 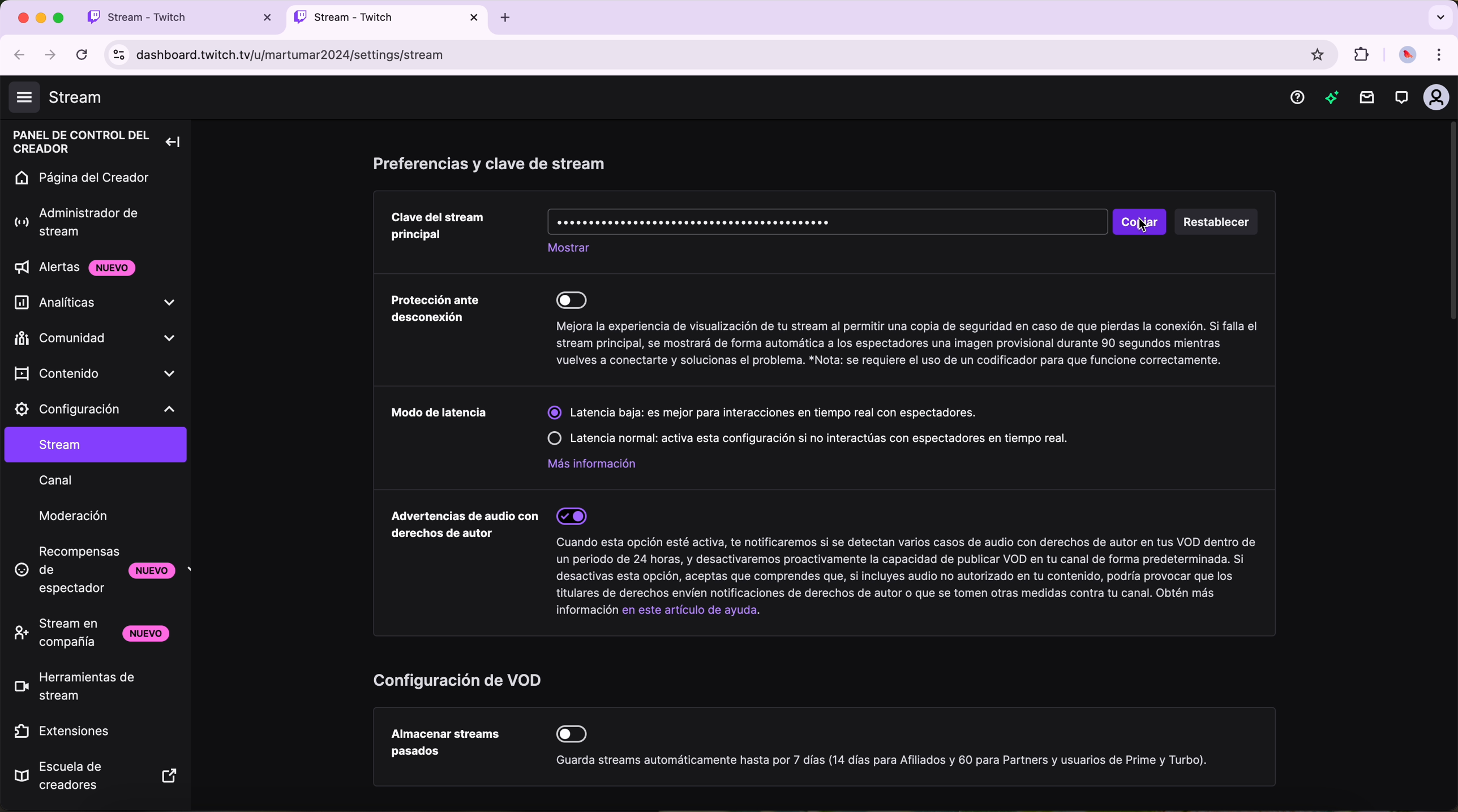 What do you see at coordinates (488, 163) in the screenshot?
I see `stream key and preferences` at bounding box center [488, 163].